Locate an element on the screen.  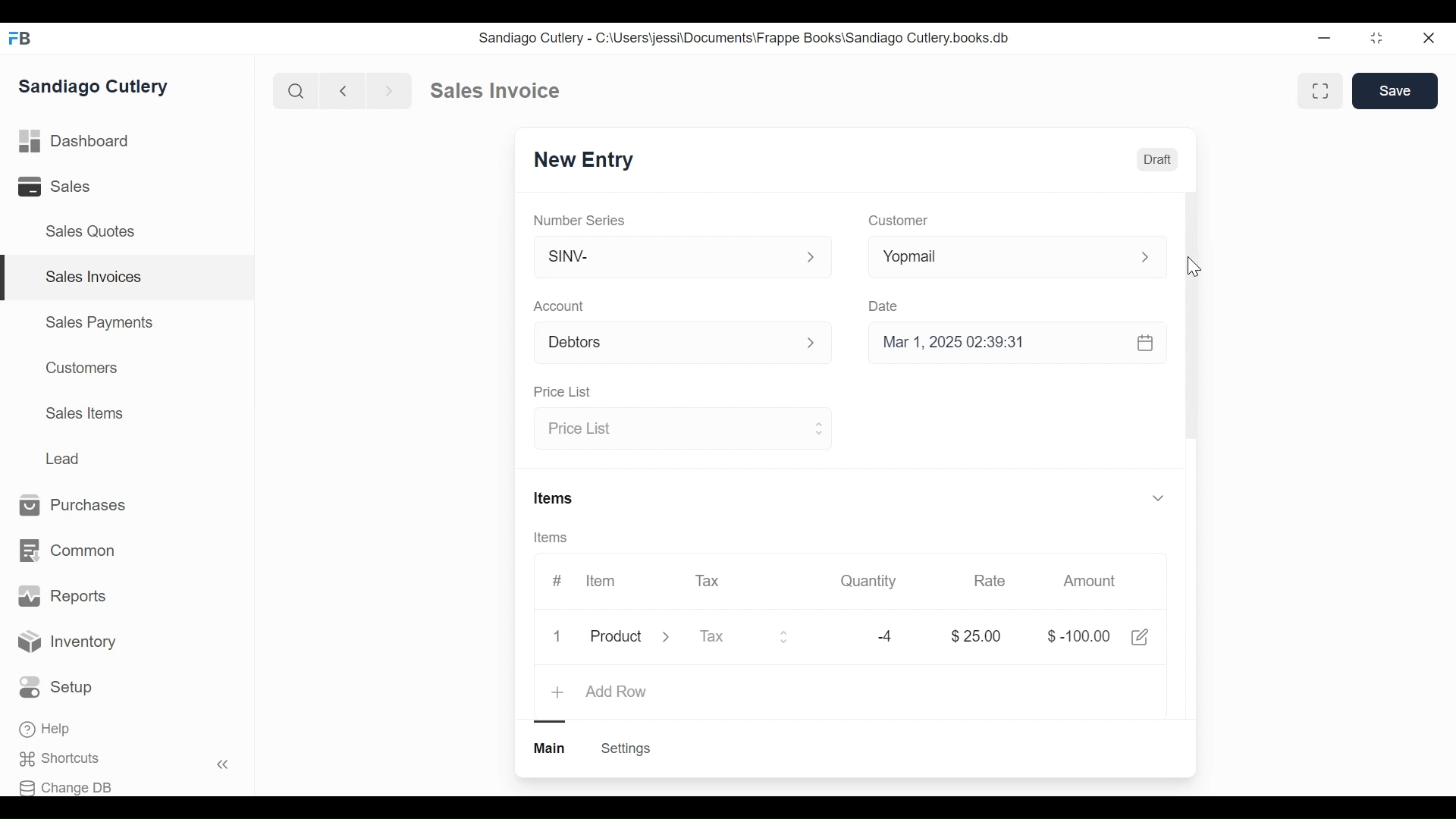
Purchases is located at coordinates (73, 504).